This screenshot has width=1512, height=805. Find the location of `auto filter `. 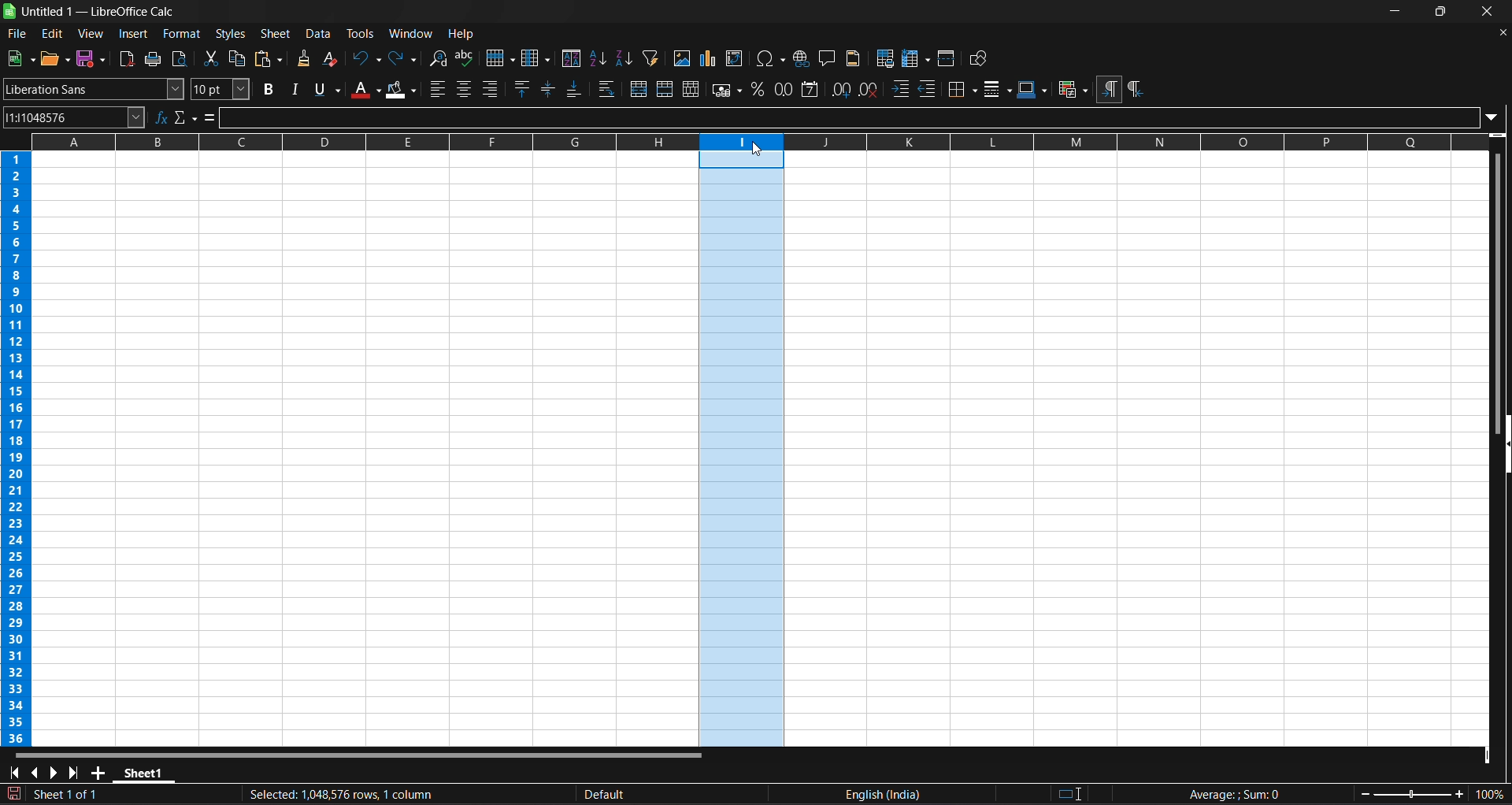

auto filter  is located at coordinates (650, 58).